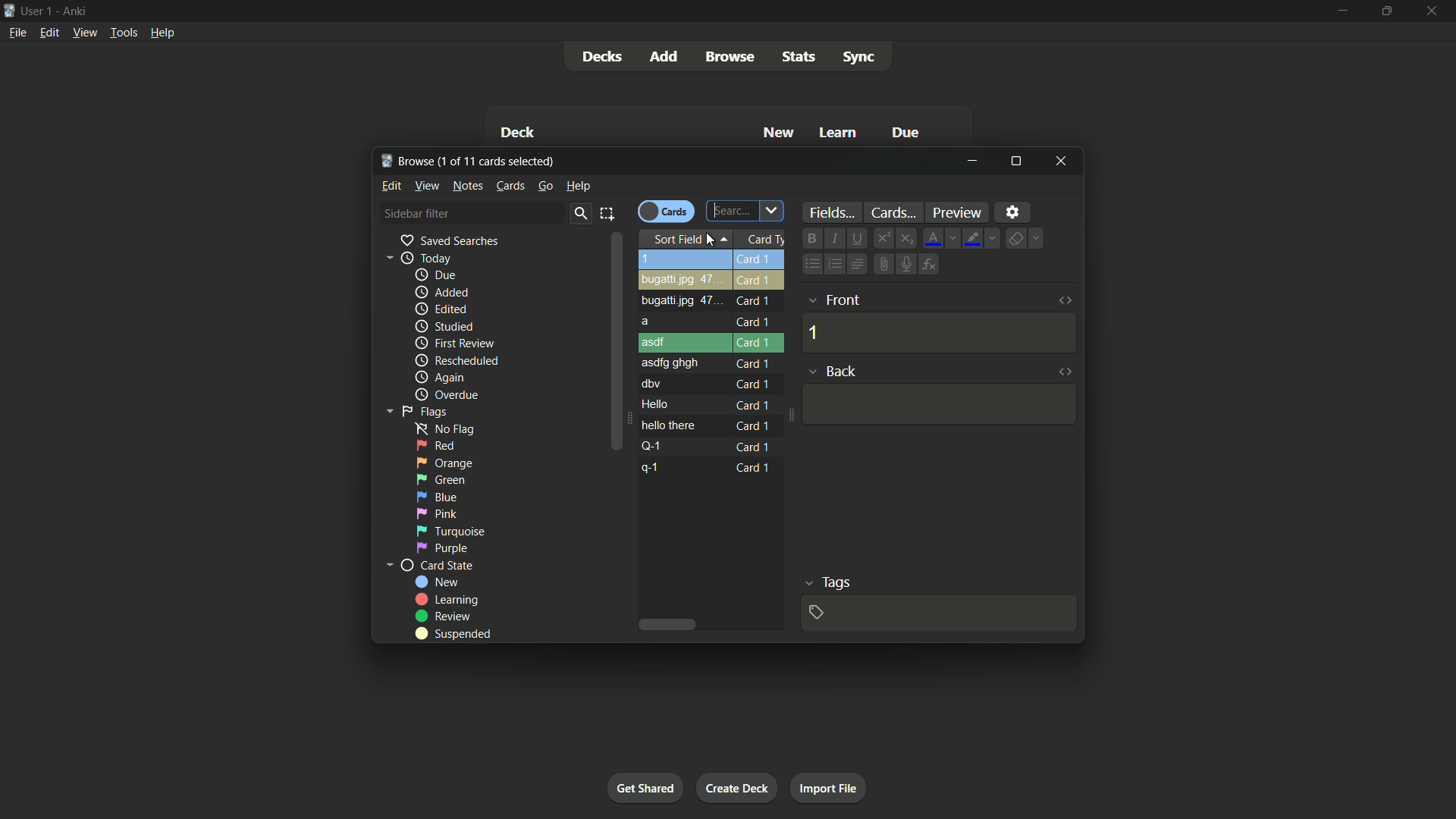 Image resolution: width=1456 pixels, height=819 pixels. What do you see at coordinates (444, 548) in the screenshot?
I see `purple` at bounding box center [444, 548].